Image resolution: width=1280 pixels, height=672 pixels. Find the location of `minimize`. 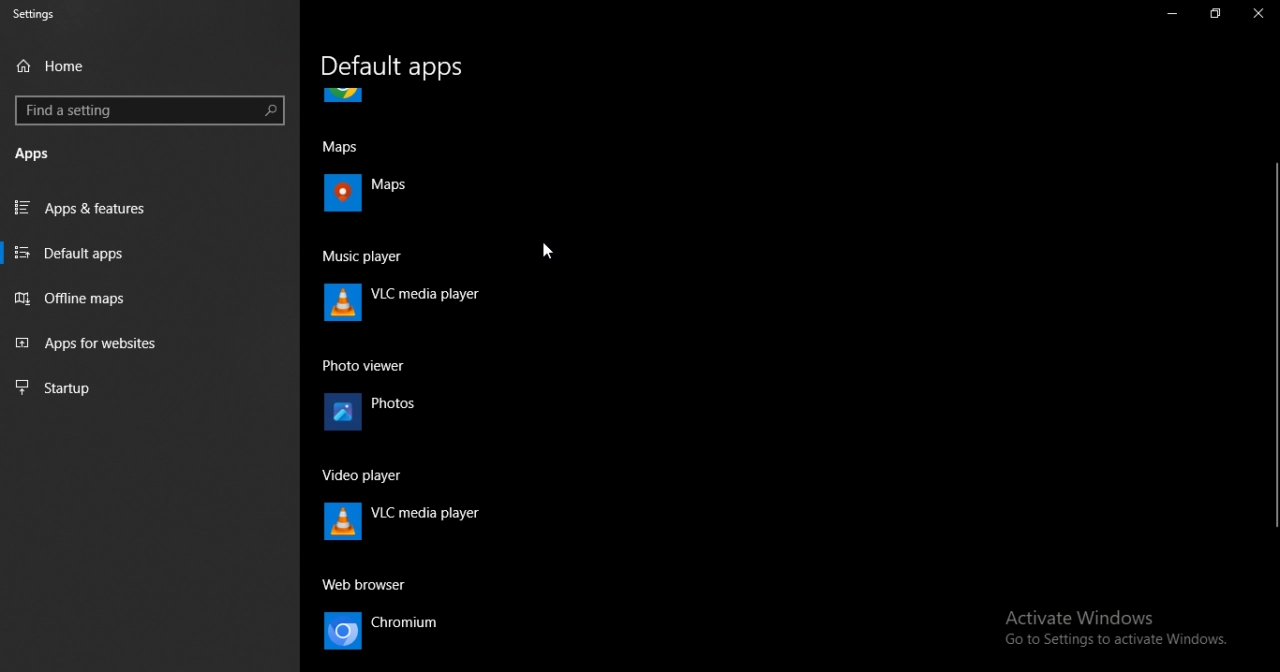

minimize is located at coordinates (1170, 15).